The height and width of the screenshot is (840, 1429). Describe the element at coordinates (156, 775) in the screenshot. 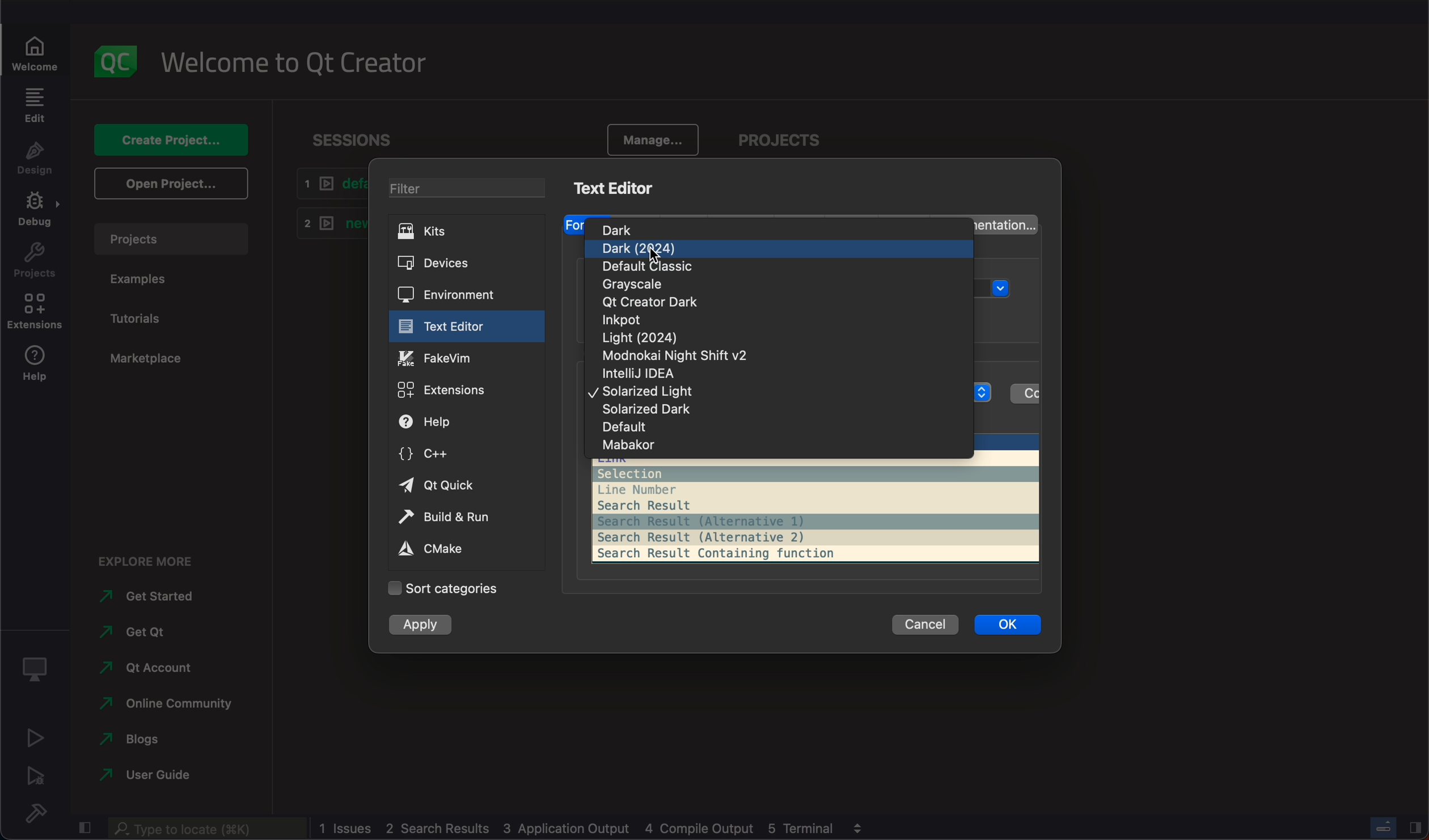

I see `guide` at that location.